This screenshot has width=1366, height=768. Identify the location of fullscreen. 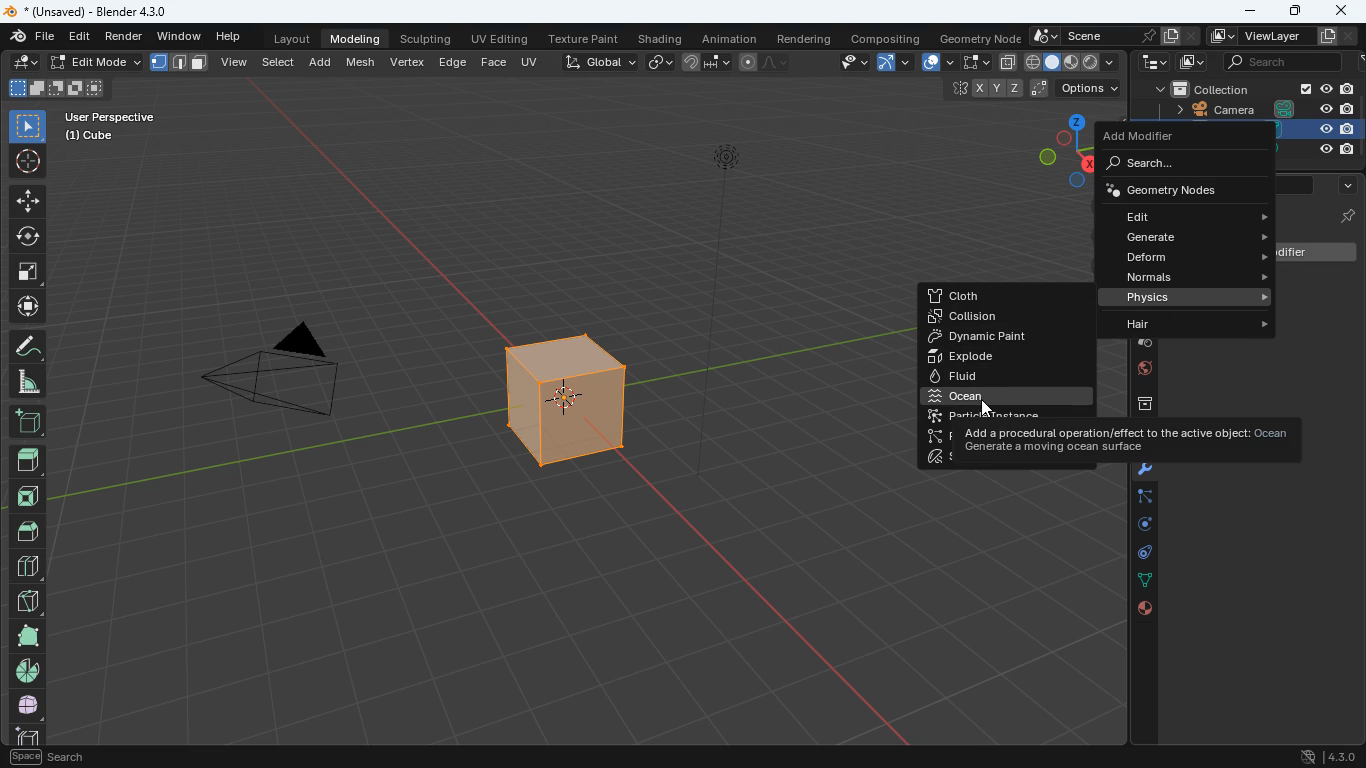
(29, 269).